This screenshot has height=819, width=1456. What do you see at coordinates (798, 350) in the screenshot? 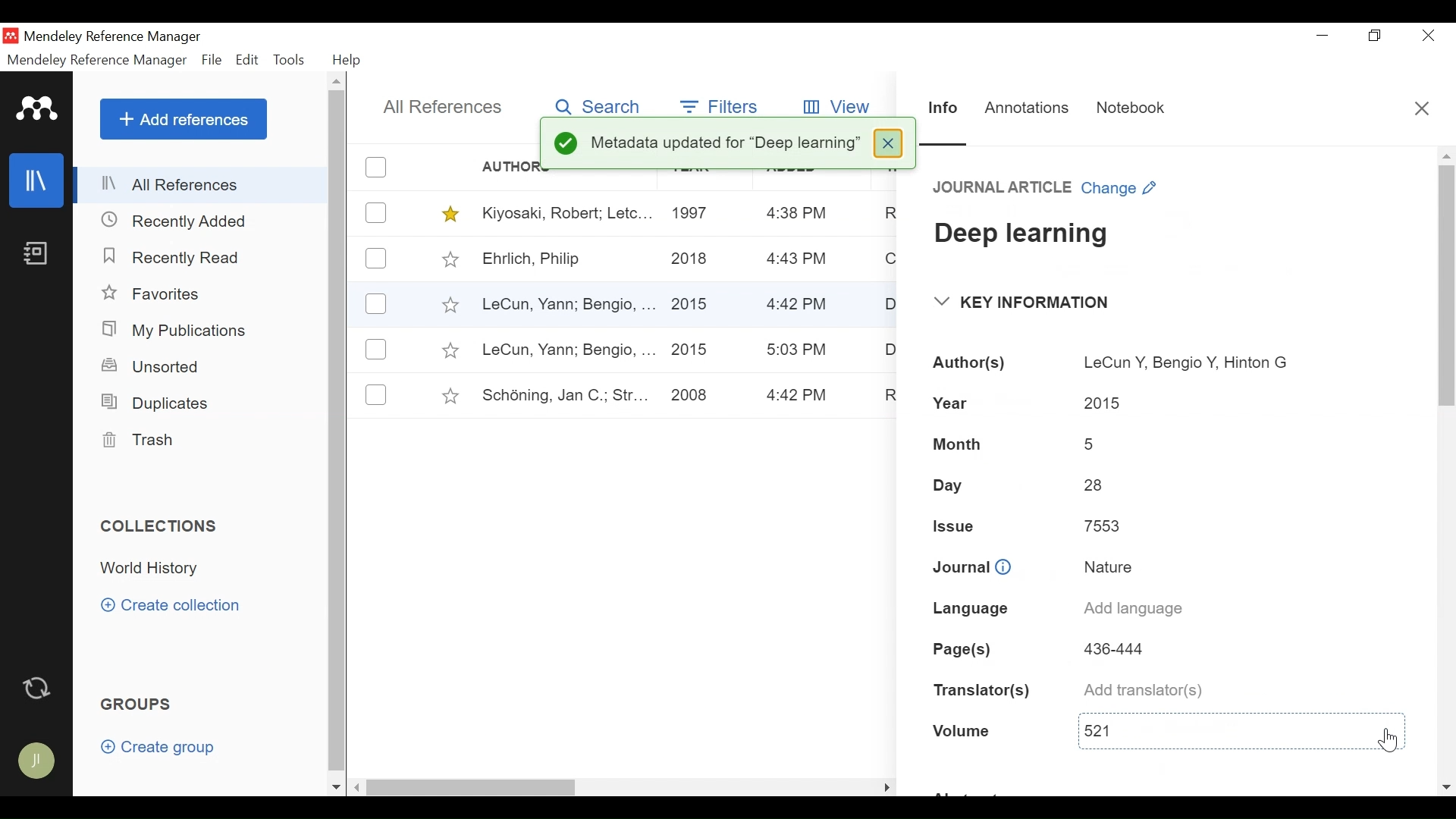
I see `Time` at bounding box center [798, 350].